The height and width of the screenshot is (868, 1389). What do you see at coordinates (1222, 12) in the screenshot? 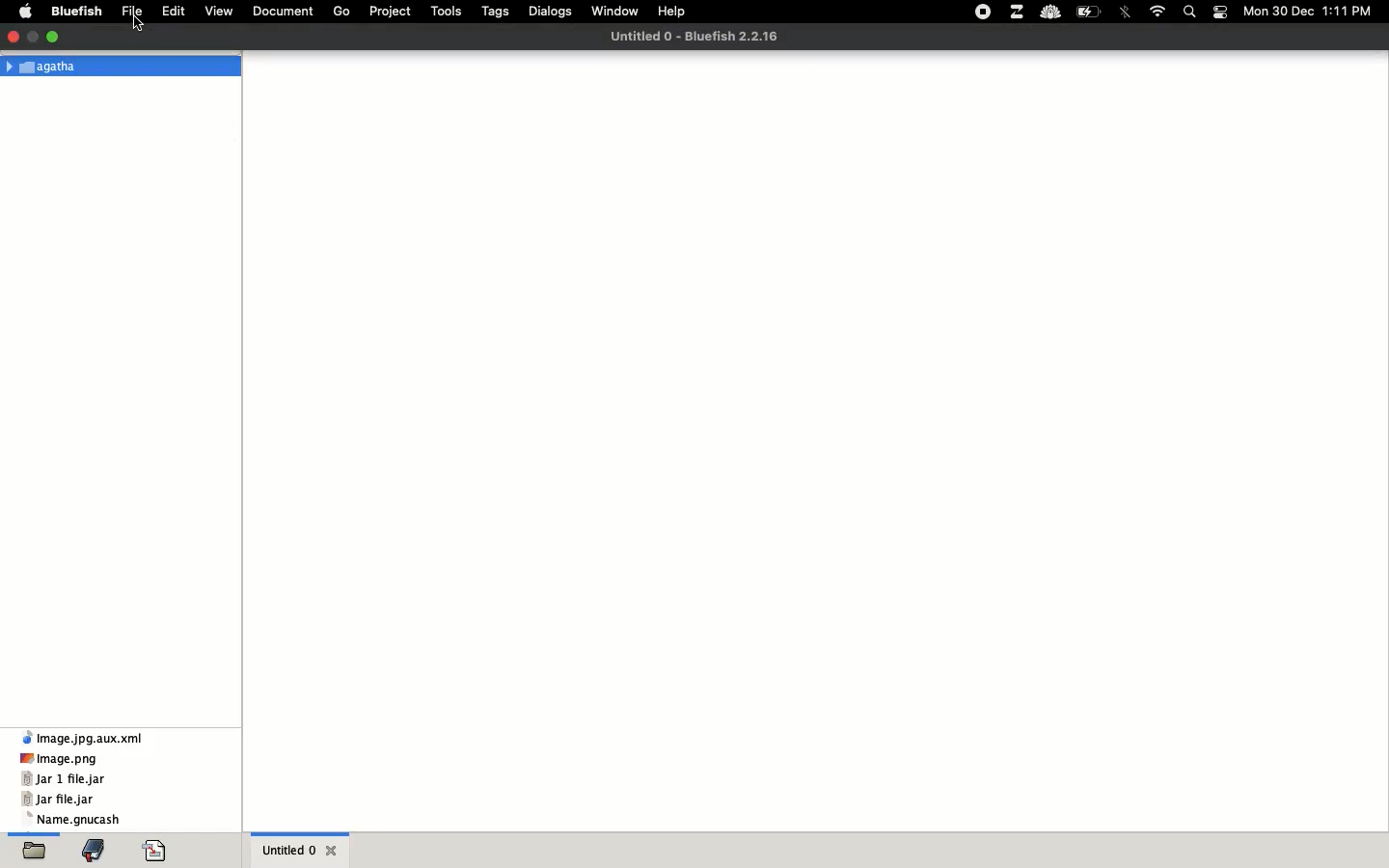
I see `notification` at bounding box center [1222, 12].